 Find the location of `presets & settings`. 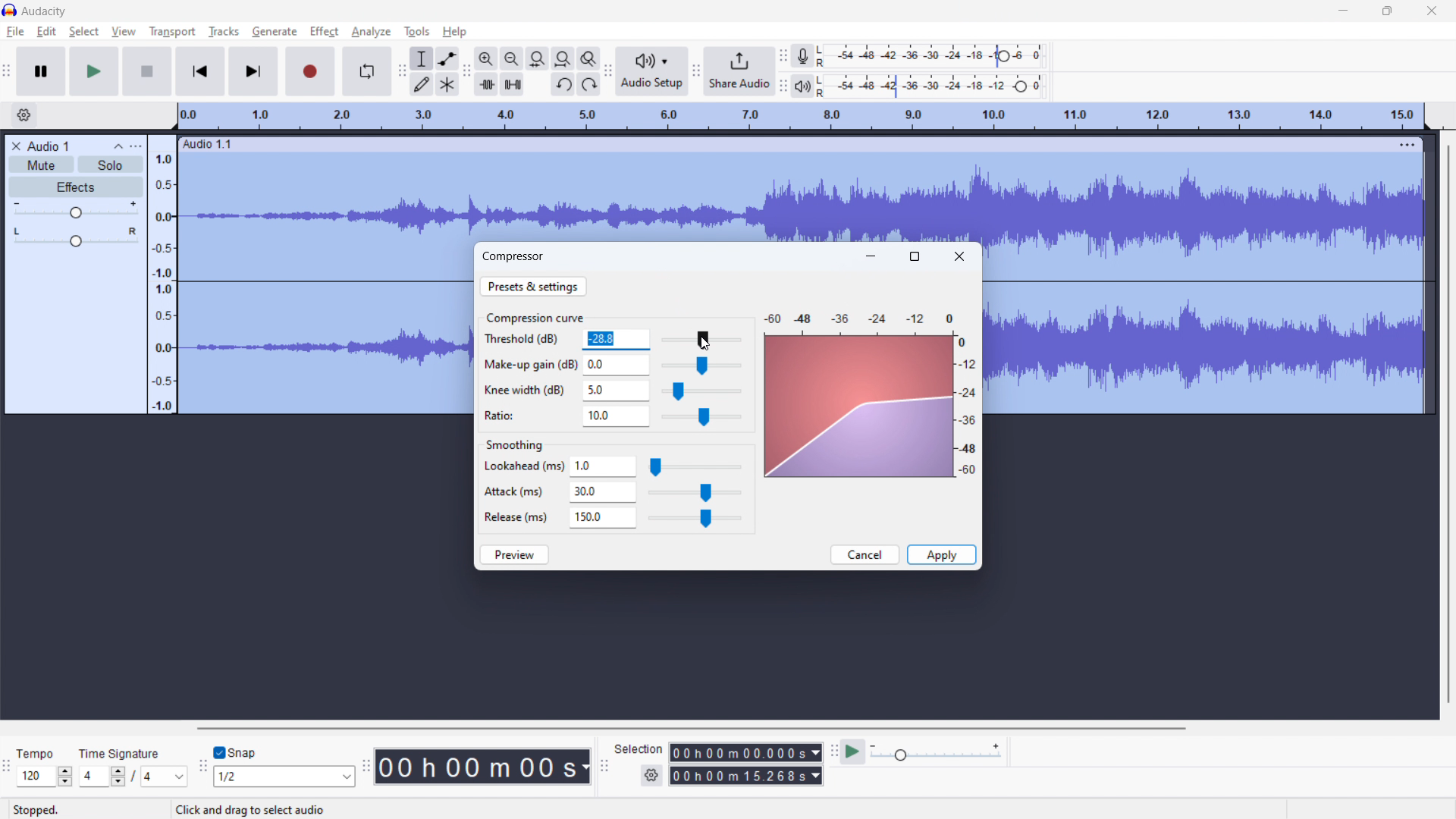

presets & settings is located at coordinates (533, 286).